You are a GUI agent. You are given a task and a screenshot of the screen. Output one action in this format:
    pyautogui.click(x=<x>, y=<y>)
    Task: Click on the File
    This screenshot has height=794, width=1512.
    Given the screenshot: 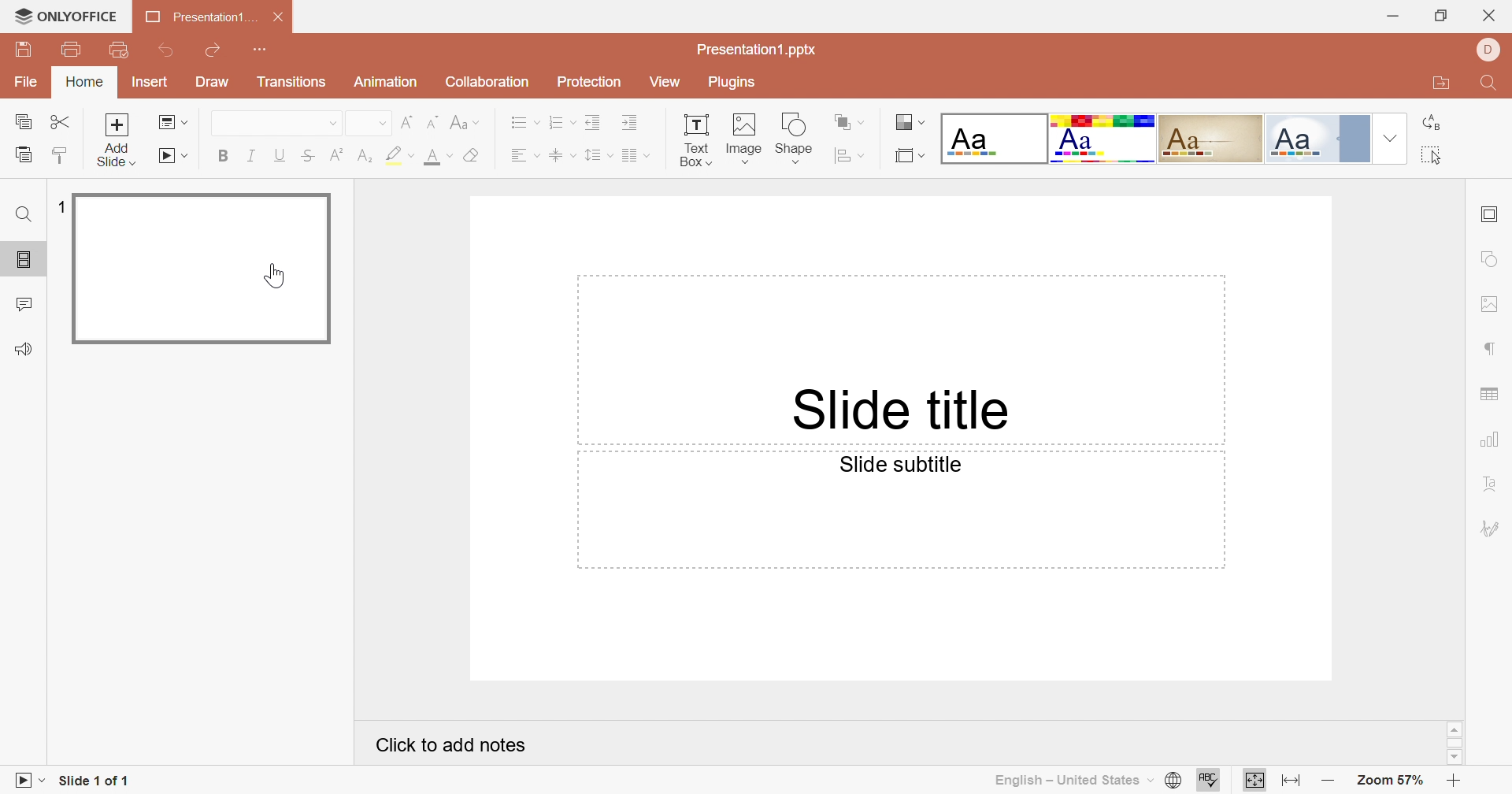 What is the action you would take?
    pyautogui.click(x=26, y=83)
    